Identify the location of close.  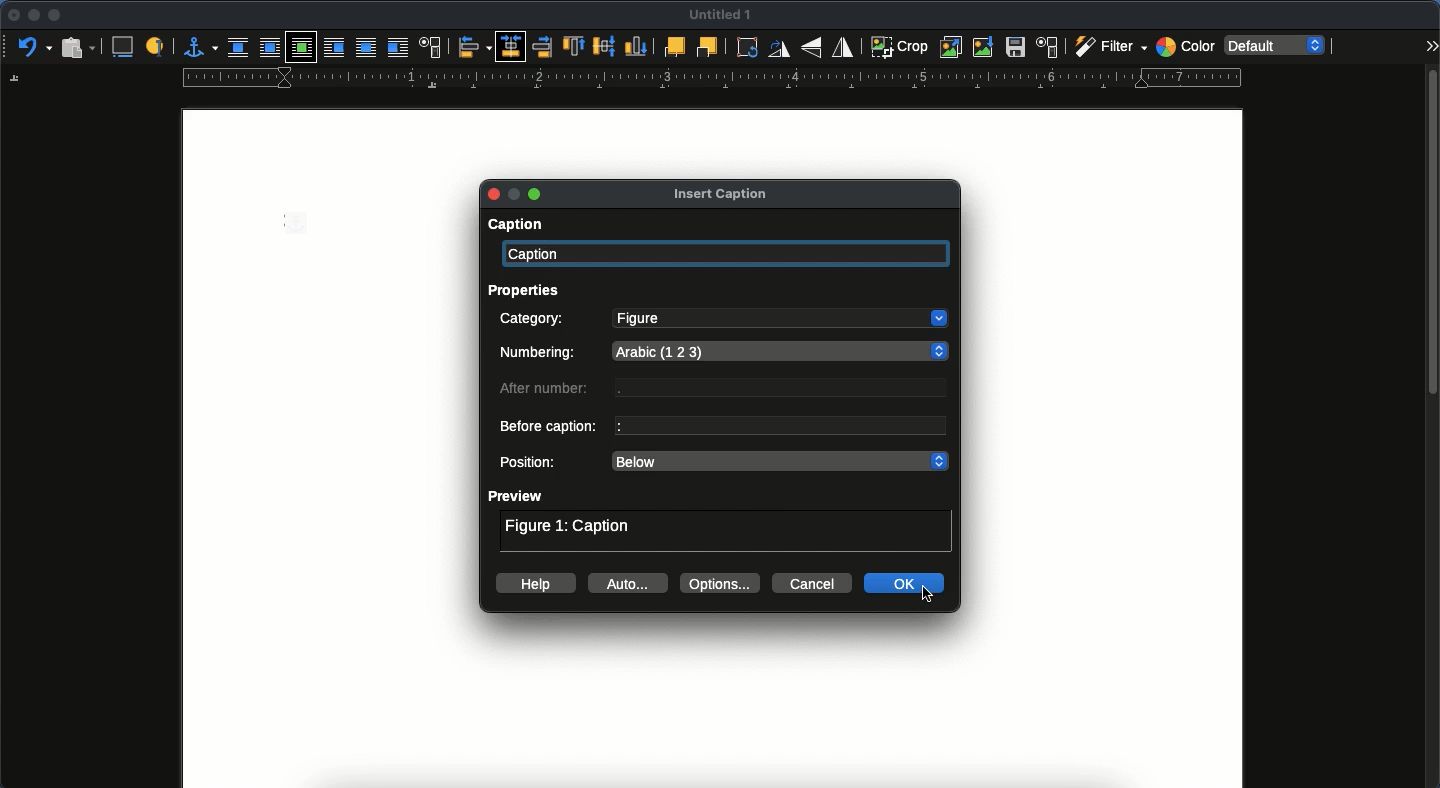
(12, 16).